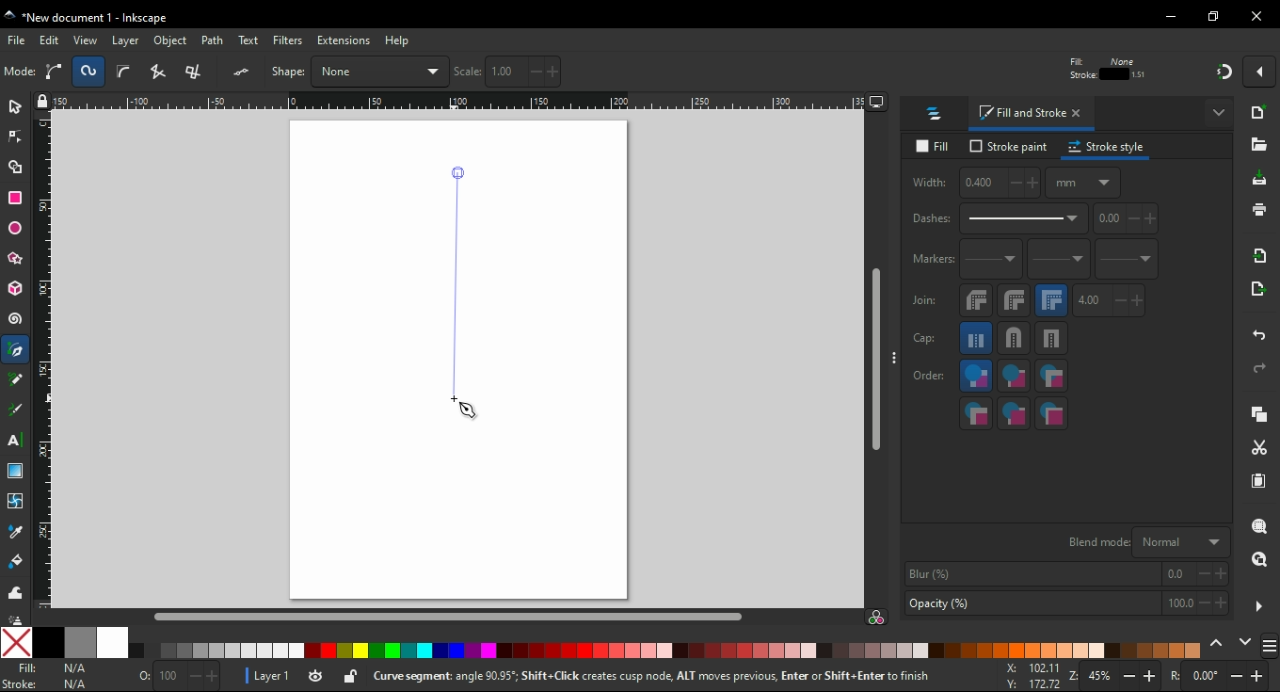  Describe the element at coordinates (765, 71) in the screenshot. I see `width` at that location.